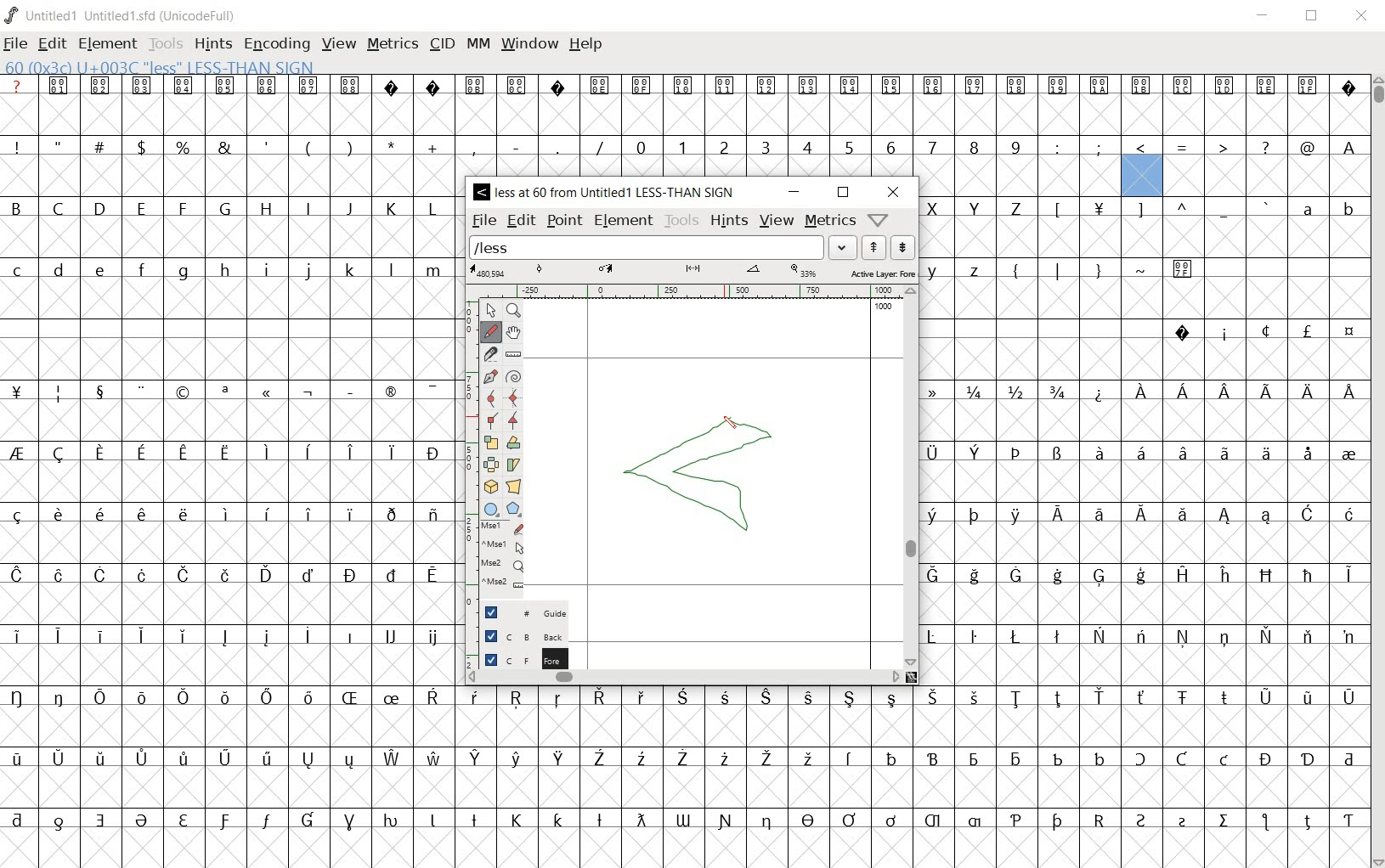 Image resolution: width=1385 pixels, height=868 pixels. What do you see at coordinates (514, 354) in the screenshot?
I see `measure a distance, angle between points` at bounding box center [514, 354].